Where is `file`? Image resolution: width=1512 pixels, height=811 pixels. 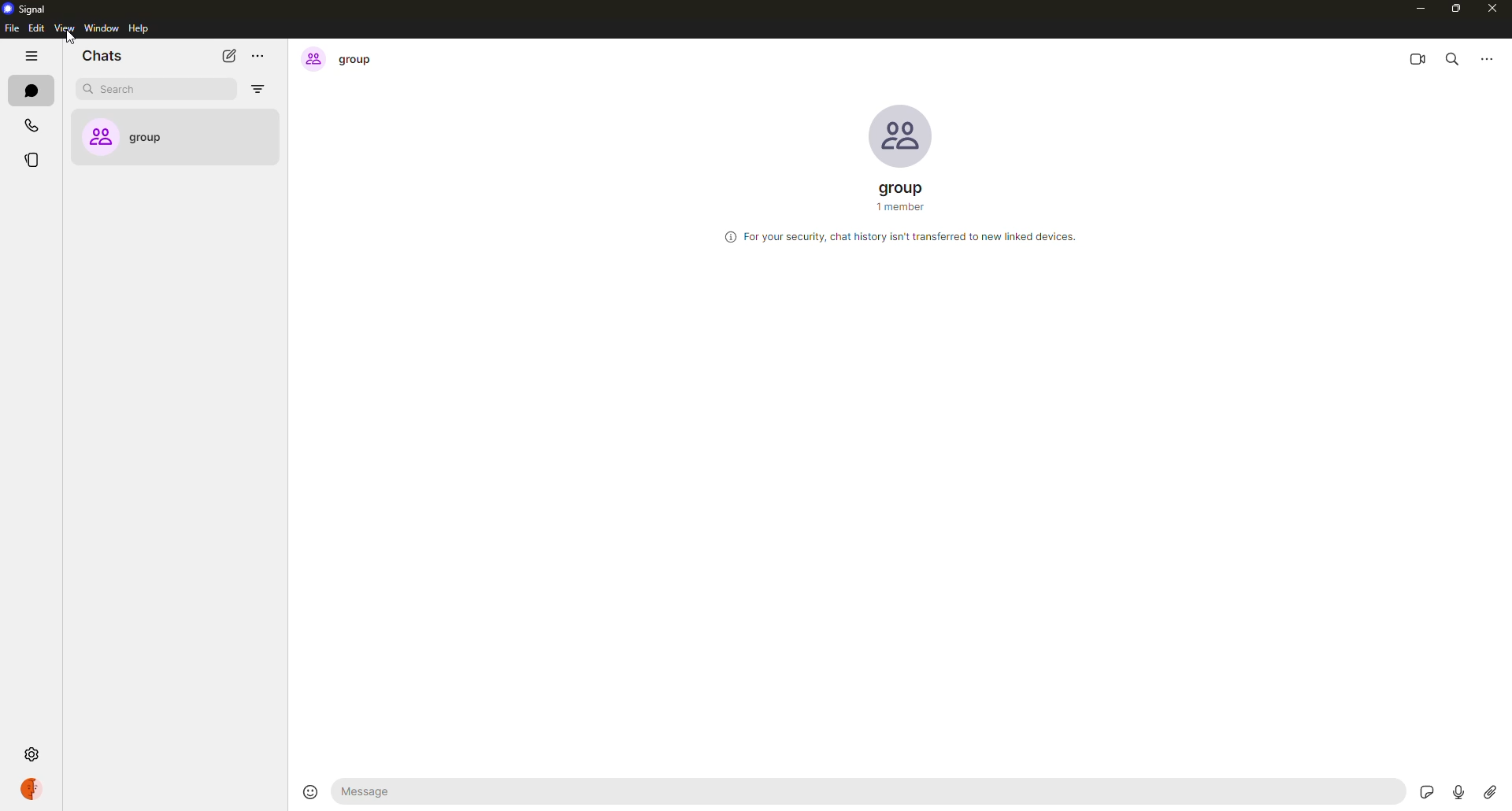
file is located at coordinates (11, 30).